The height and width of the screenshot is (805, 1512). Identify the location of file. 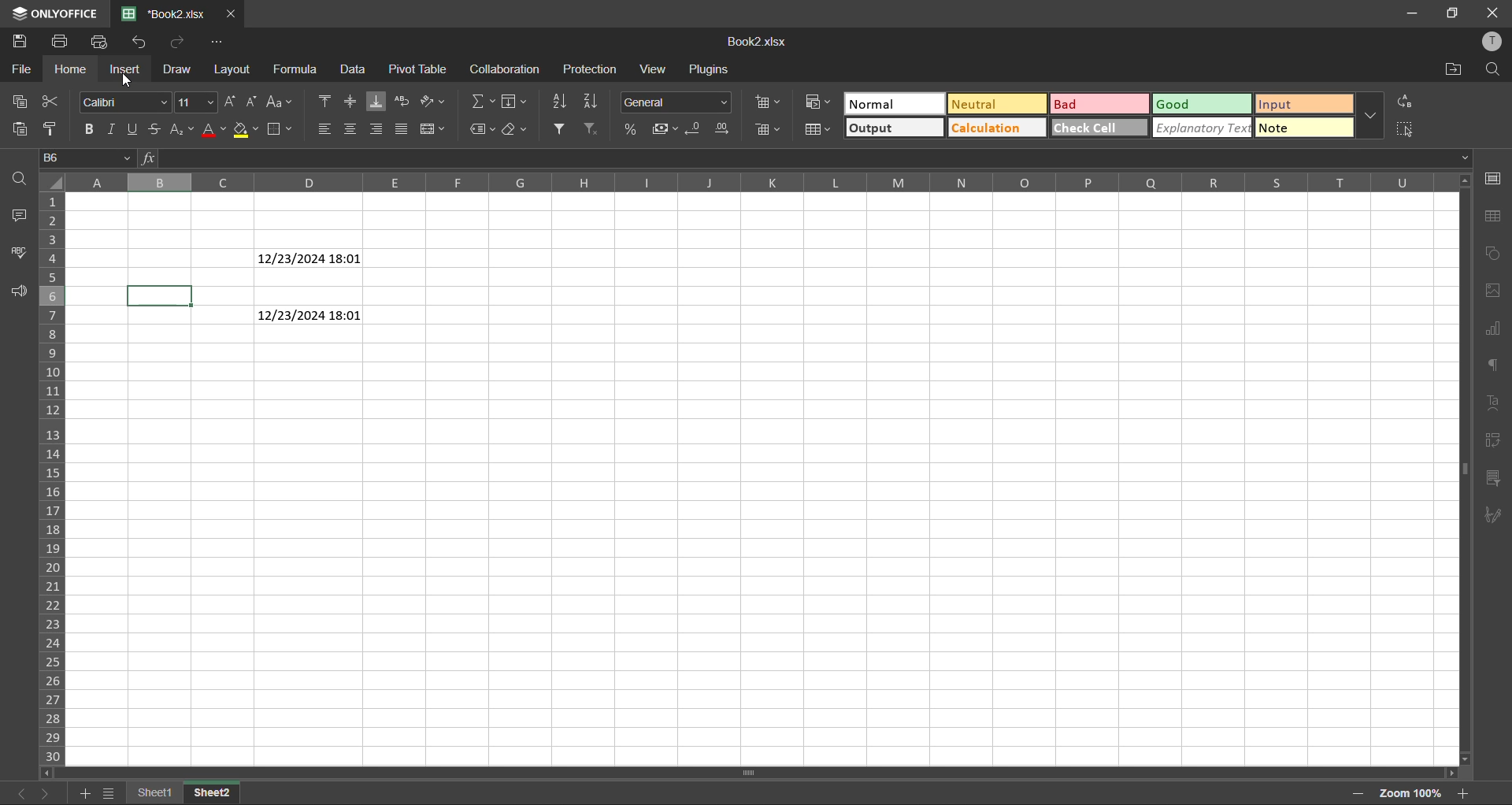
(19, 69).